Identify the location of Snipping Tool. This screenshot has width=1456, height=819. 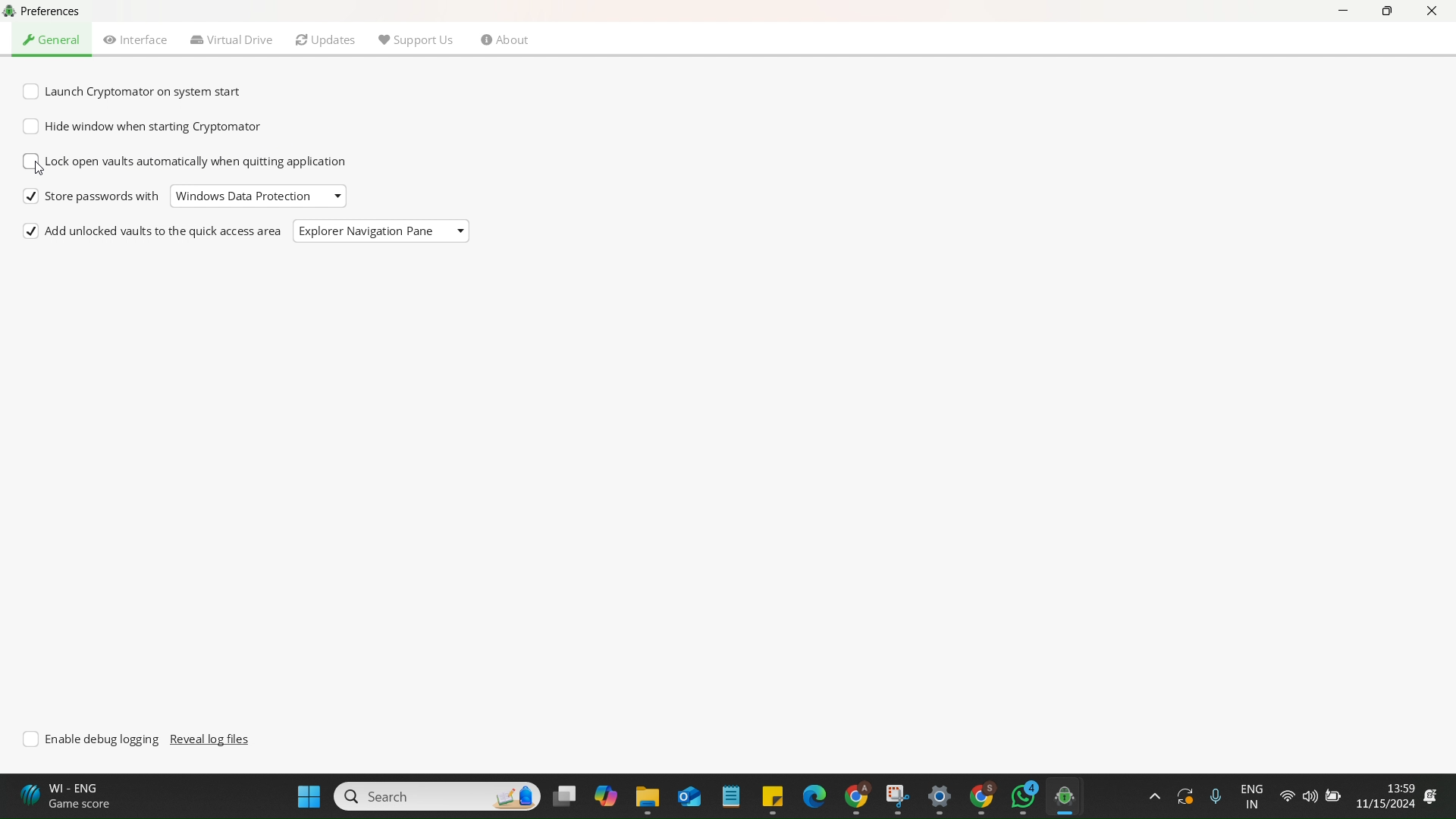
(895, 795).